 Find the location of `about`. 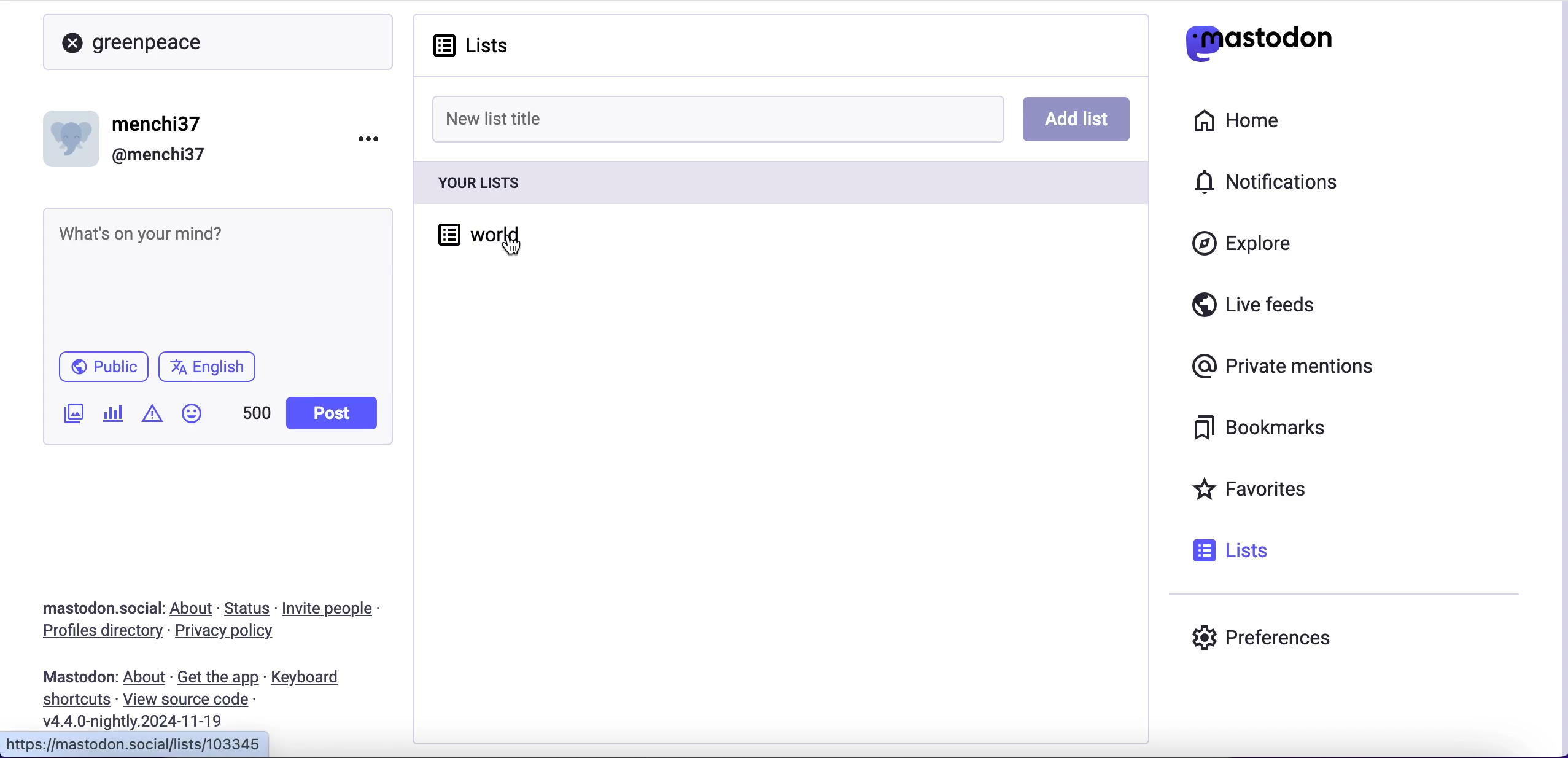

about is located at coordinates (194, 608).